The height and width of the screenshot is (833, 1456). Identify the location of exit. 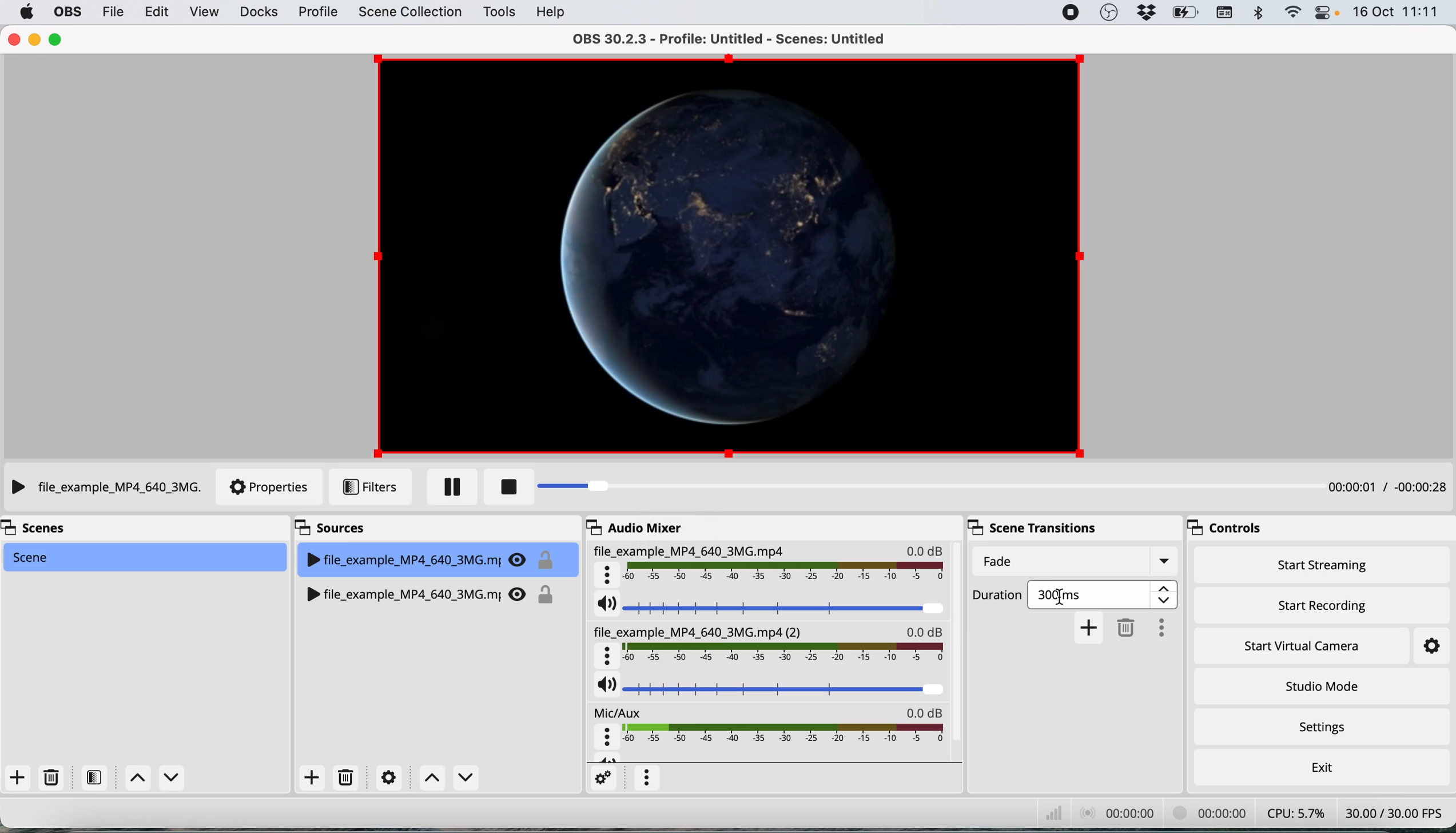
(1320, 768).